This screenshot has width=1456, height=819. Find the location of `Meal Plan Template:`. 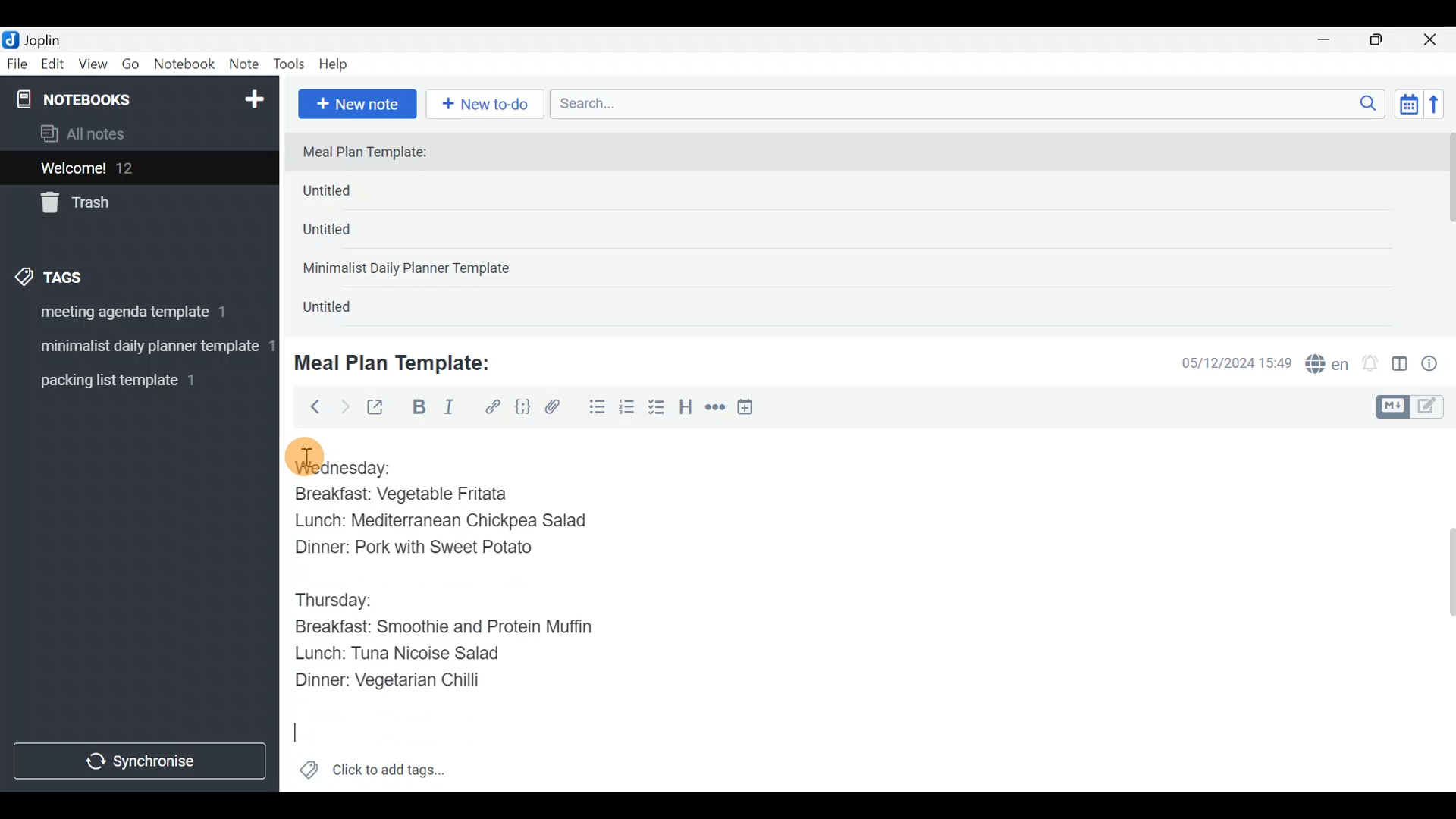

Meal Plan Template: is located at coordinates (374, 153).